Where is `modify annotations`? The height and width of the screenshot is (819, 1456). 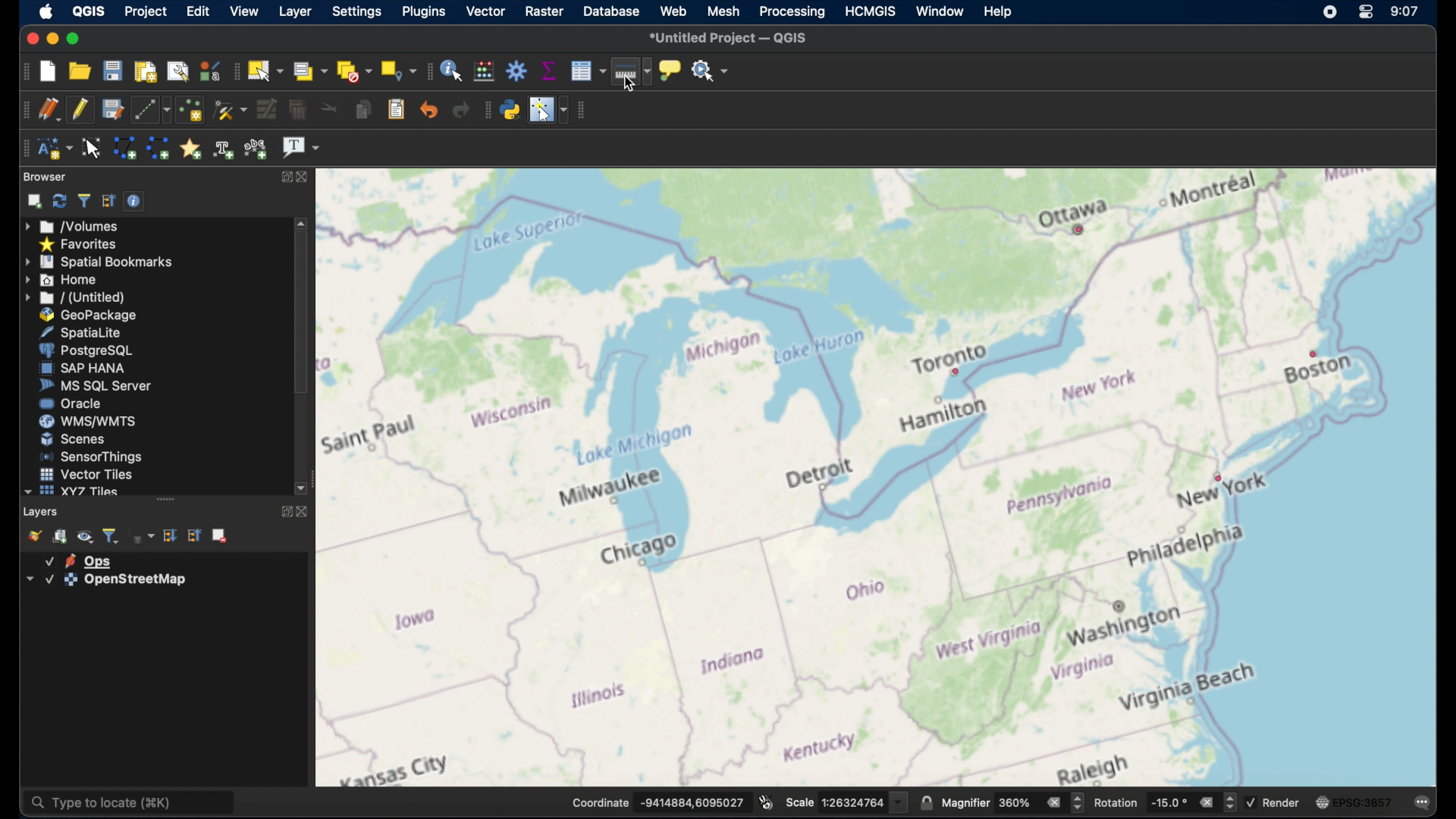
modify annotations is located at coordinates (93, 147).